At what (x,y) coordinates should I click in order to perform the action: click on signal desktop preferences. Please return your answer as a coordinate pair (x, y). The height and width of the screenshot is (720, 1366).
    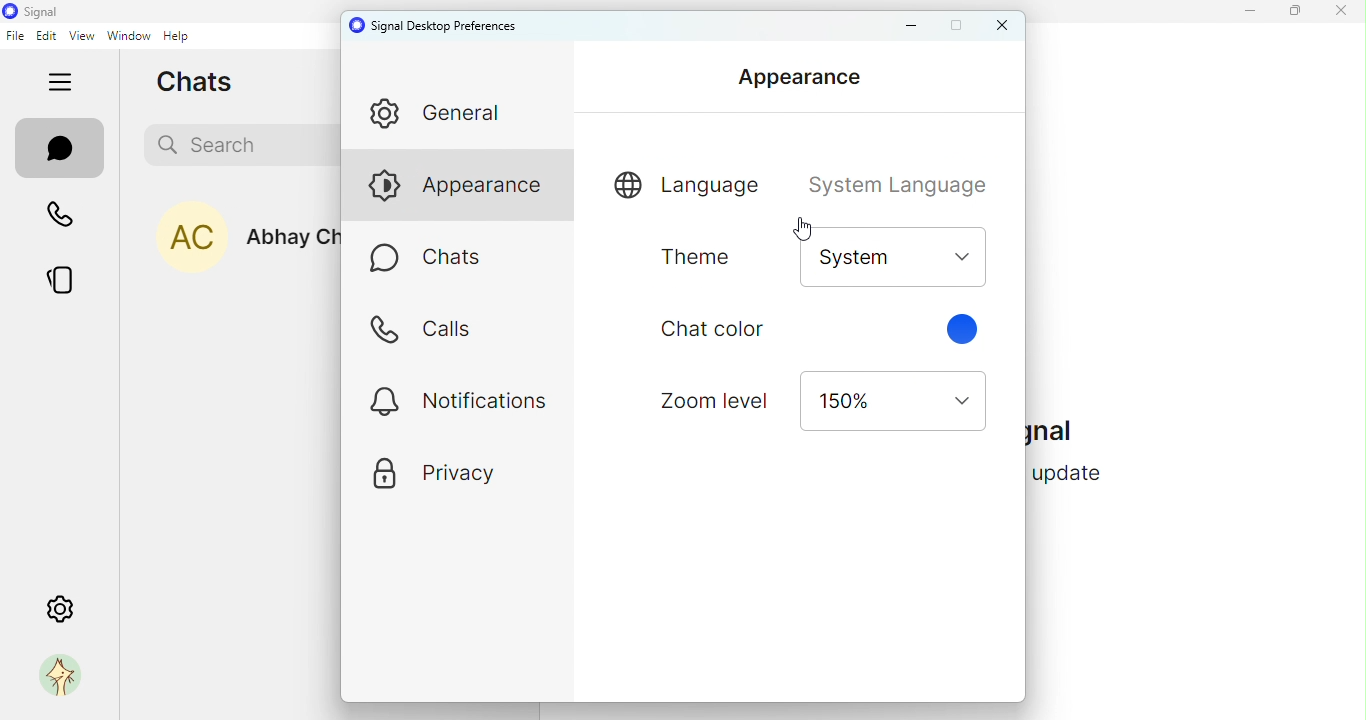
    Looking at the image, I should click on (439, 25).